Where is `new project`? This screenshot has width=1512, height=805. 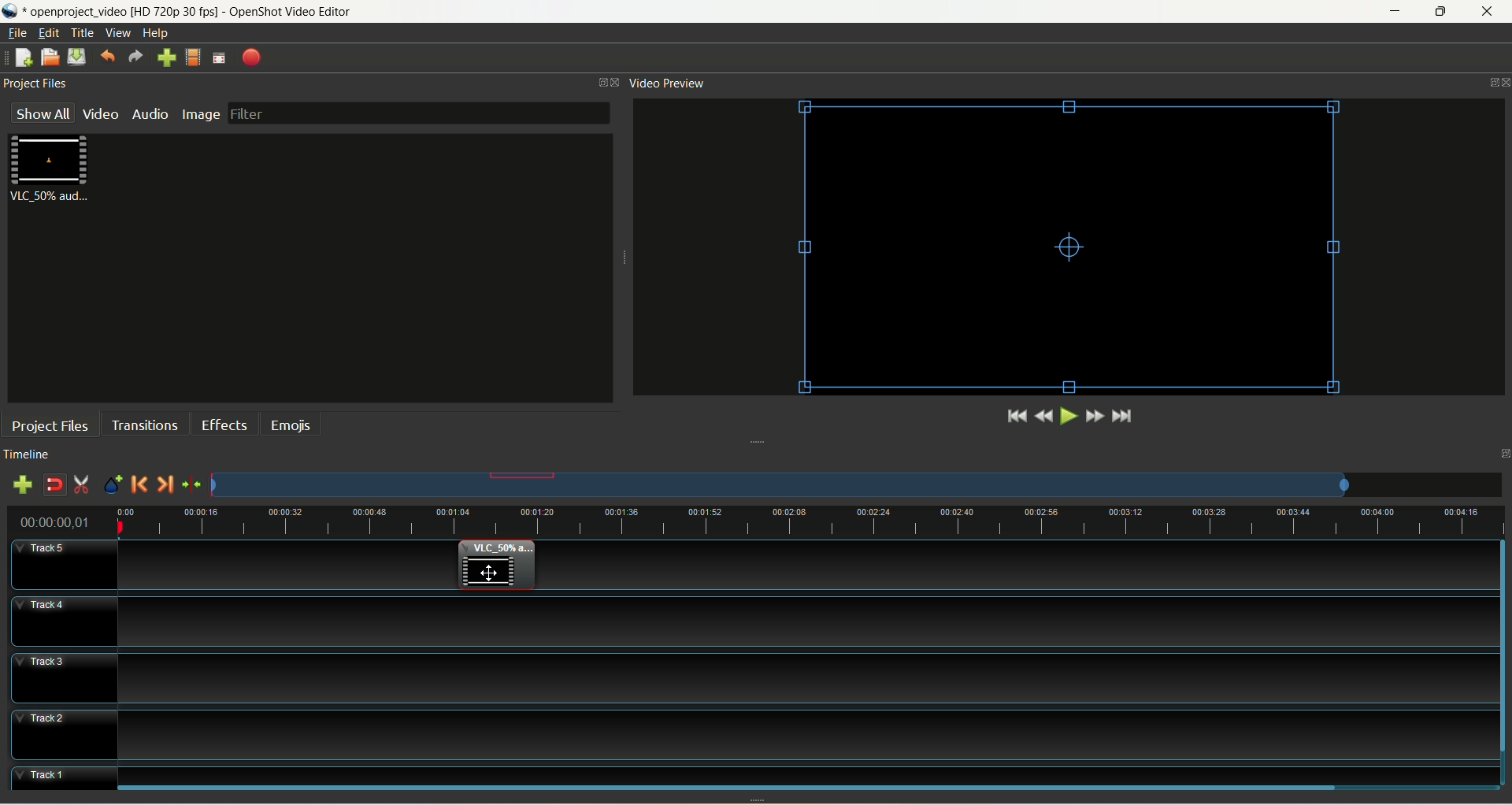
new project is located at coordinates (24, 57).